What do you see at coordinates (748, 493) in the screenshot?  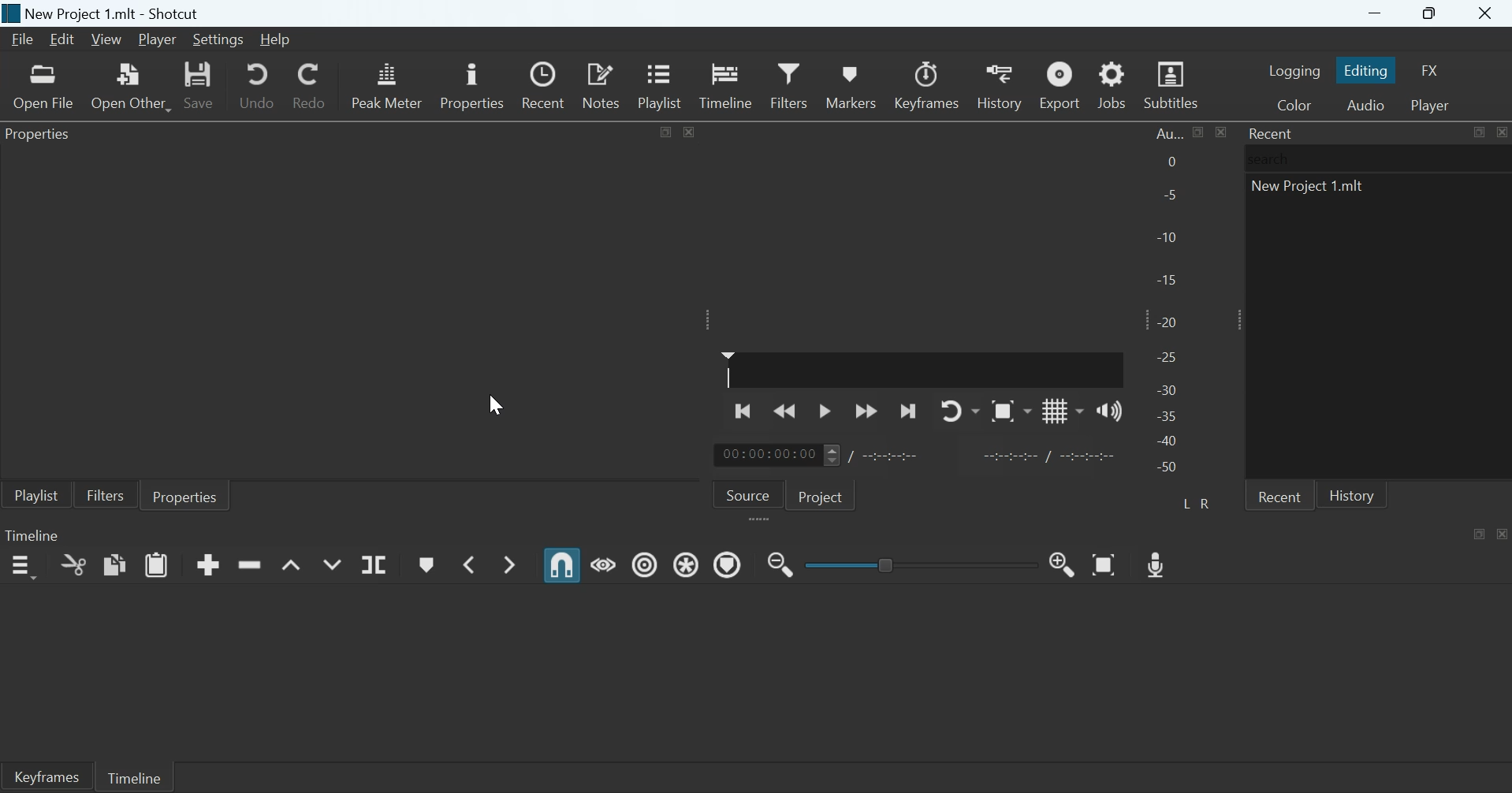 I see `Source` at bounding box center [748, 493].